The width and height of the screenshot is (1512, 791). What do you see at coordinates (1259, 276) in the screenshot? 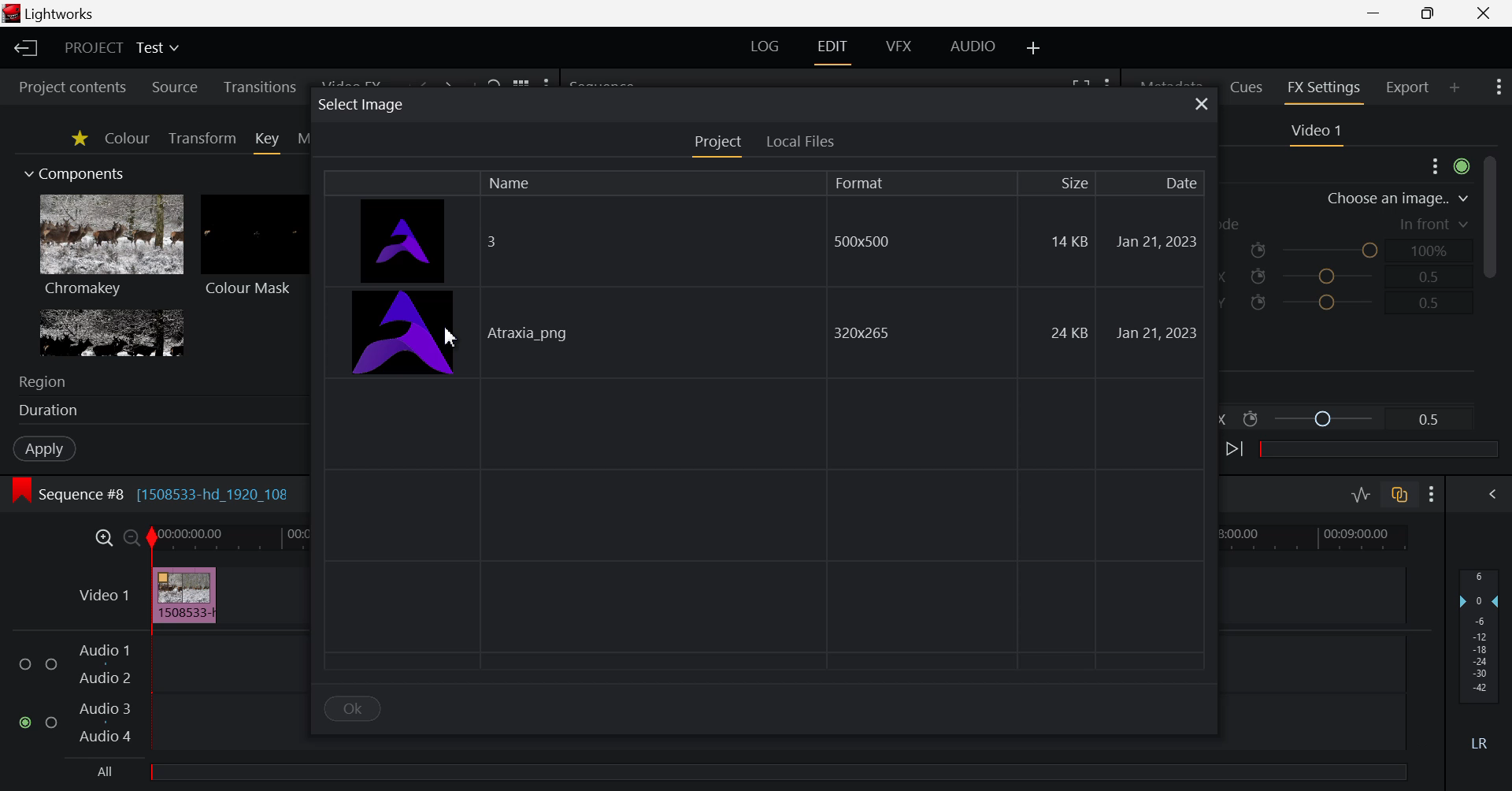
I see `icon` at bounding box center [1259, 276].